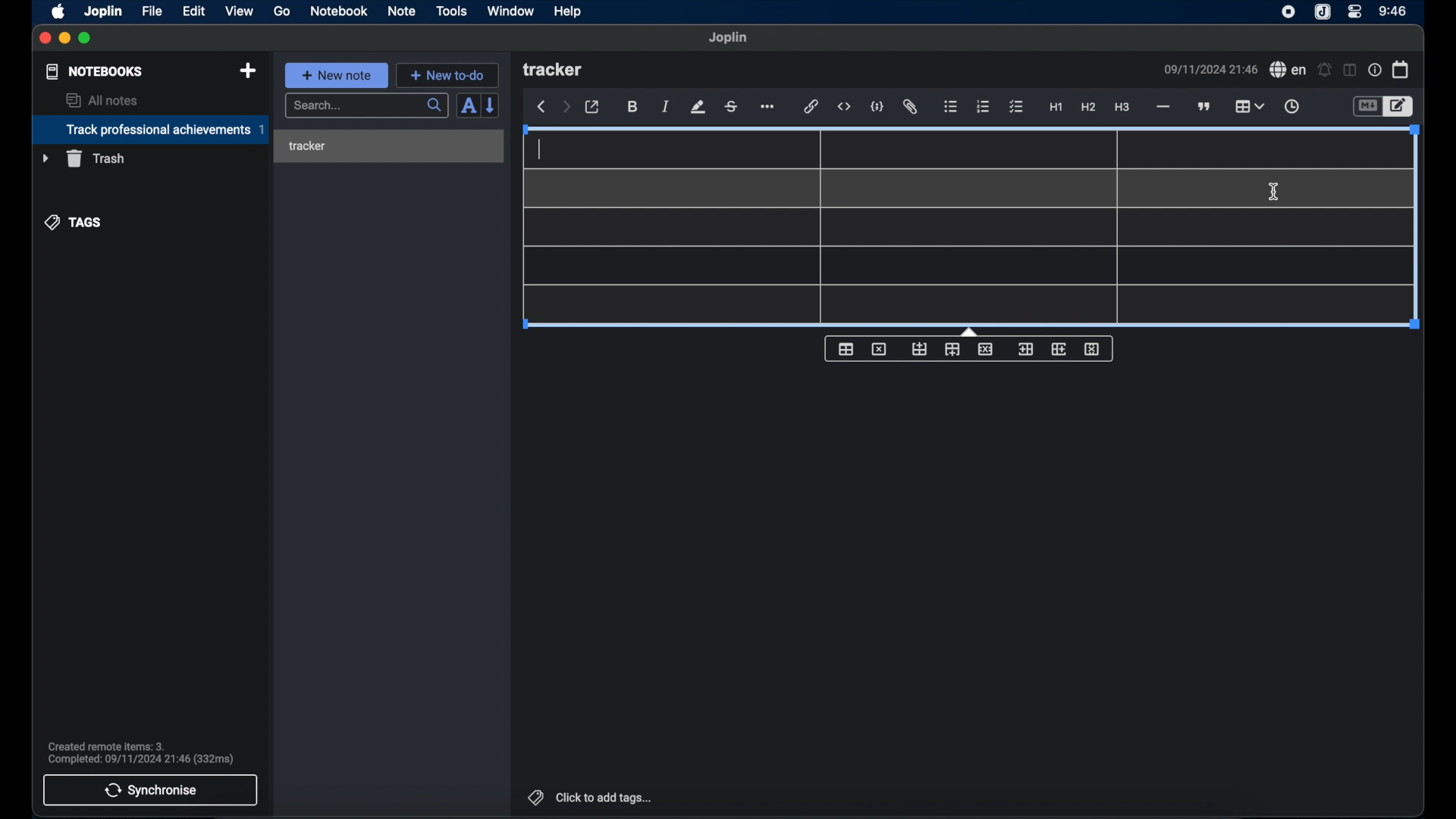 Image resolution: width=1456 pixels, height=819 pixels. I want to click on close, so click(45, 38).